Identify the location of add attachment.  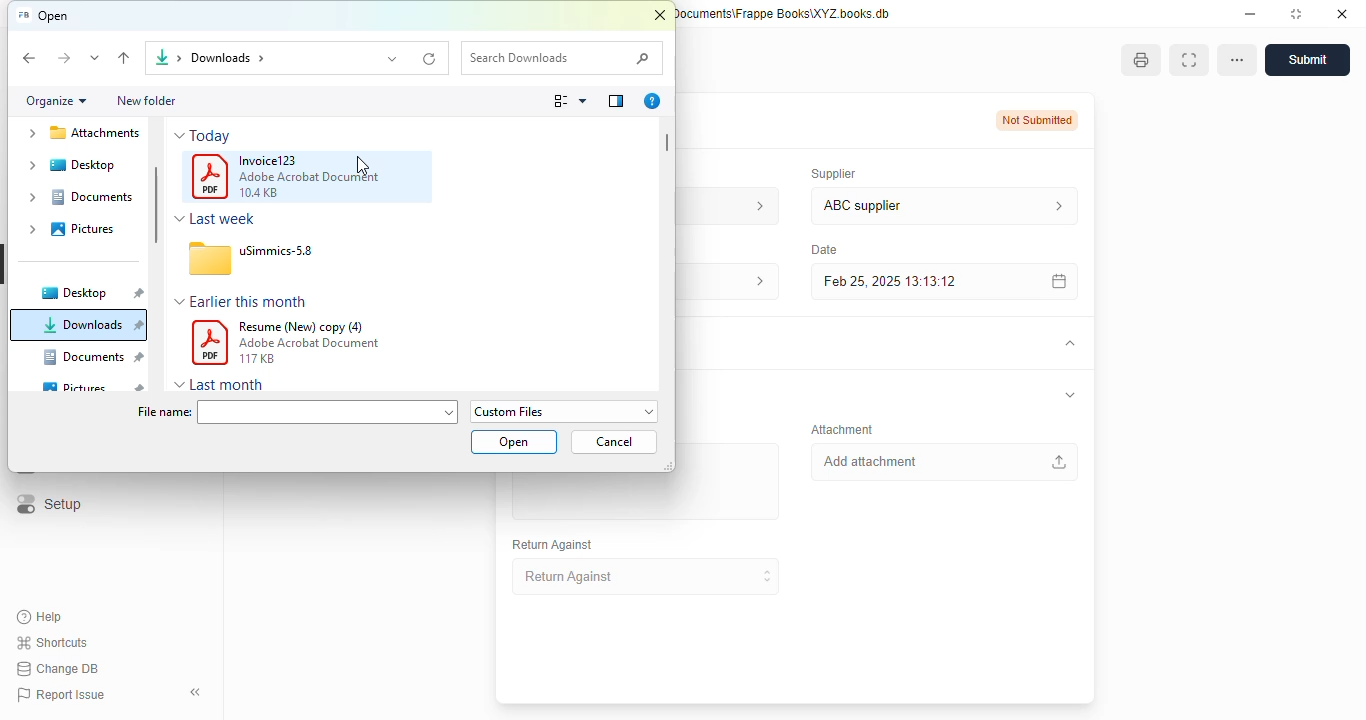
(943, 462).